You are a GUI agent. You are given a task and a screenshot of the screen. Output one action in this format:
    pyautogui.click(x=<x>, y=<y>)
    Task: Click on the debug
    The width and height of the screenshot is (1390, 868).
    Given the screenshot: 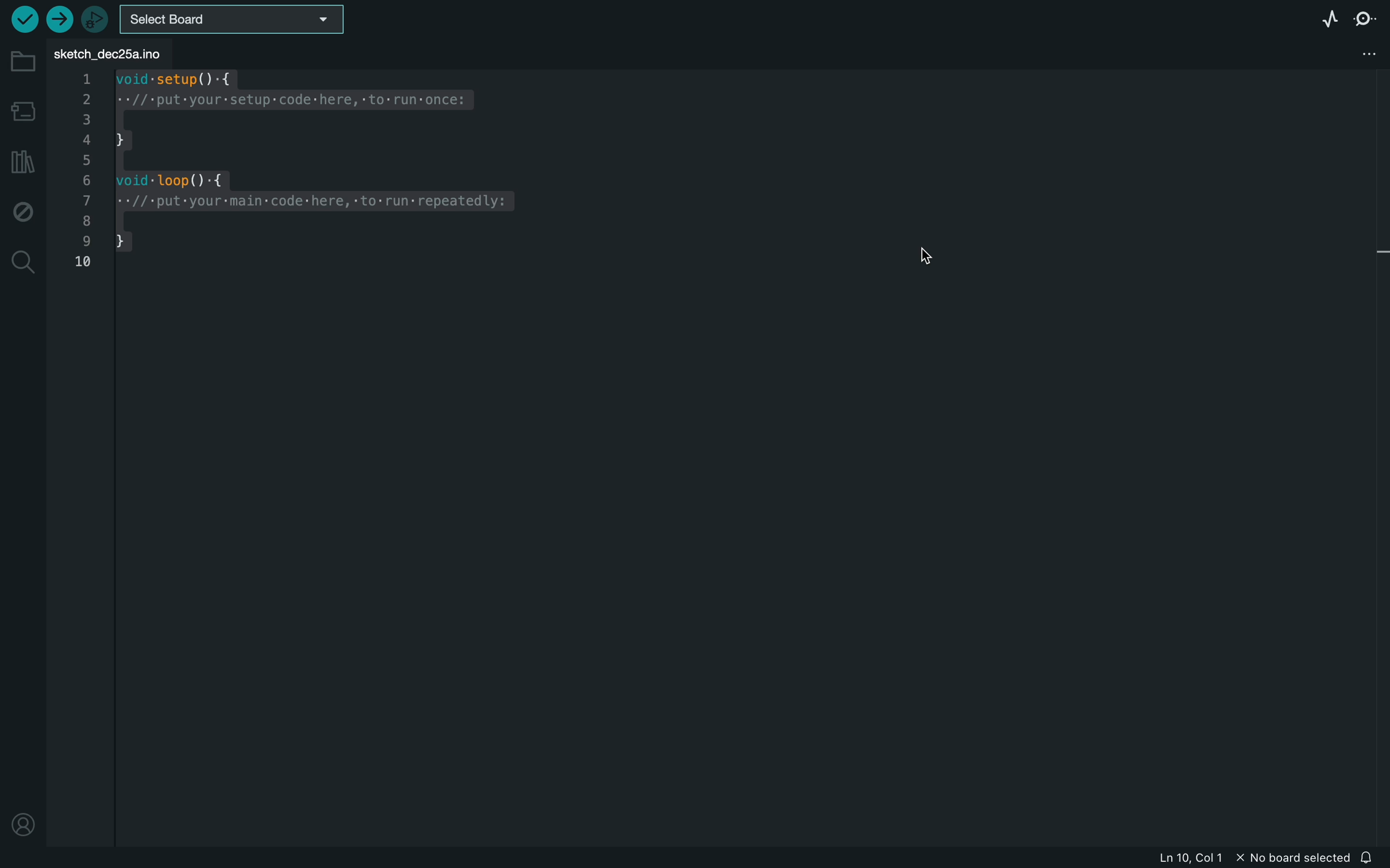 What is the action you would take?
    pyautogui.click(x=22, y=211)
    